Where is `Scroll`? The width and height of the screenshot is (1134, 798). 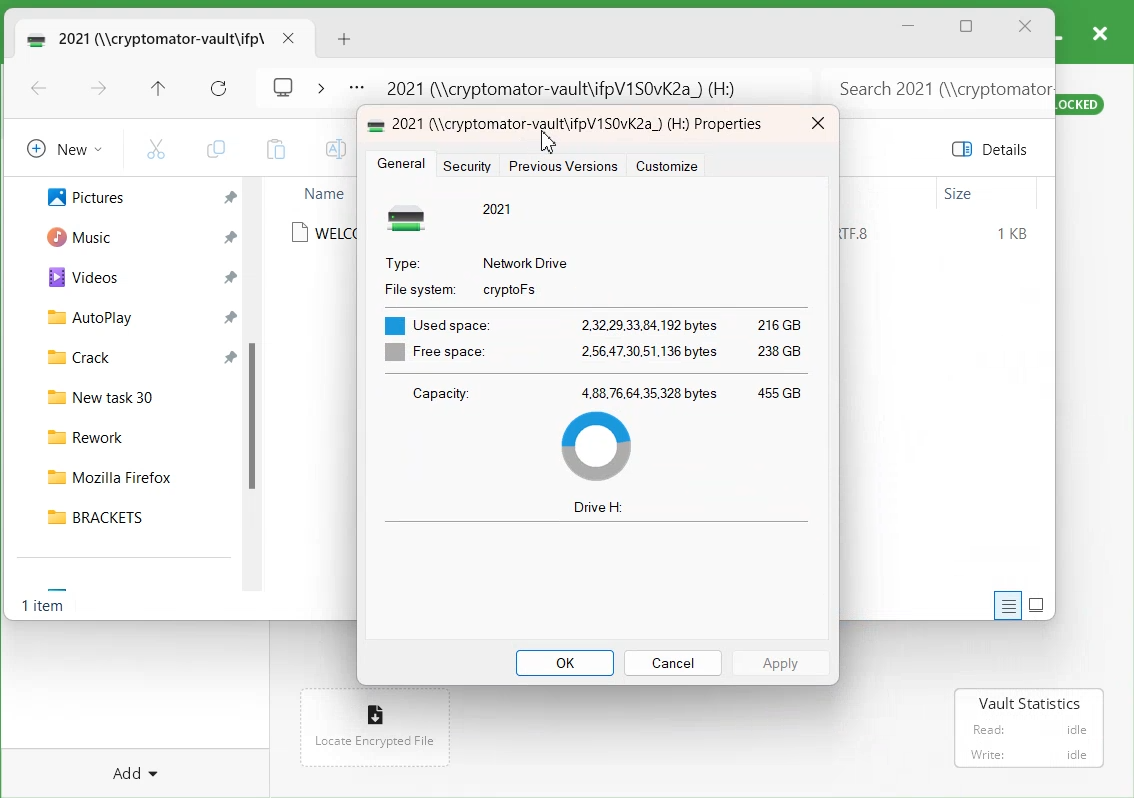 Scroll is located at coordinates (257, 391).